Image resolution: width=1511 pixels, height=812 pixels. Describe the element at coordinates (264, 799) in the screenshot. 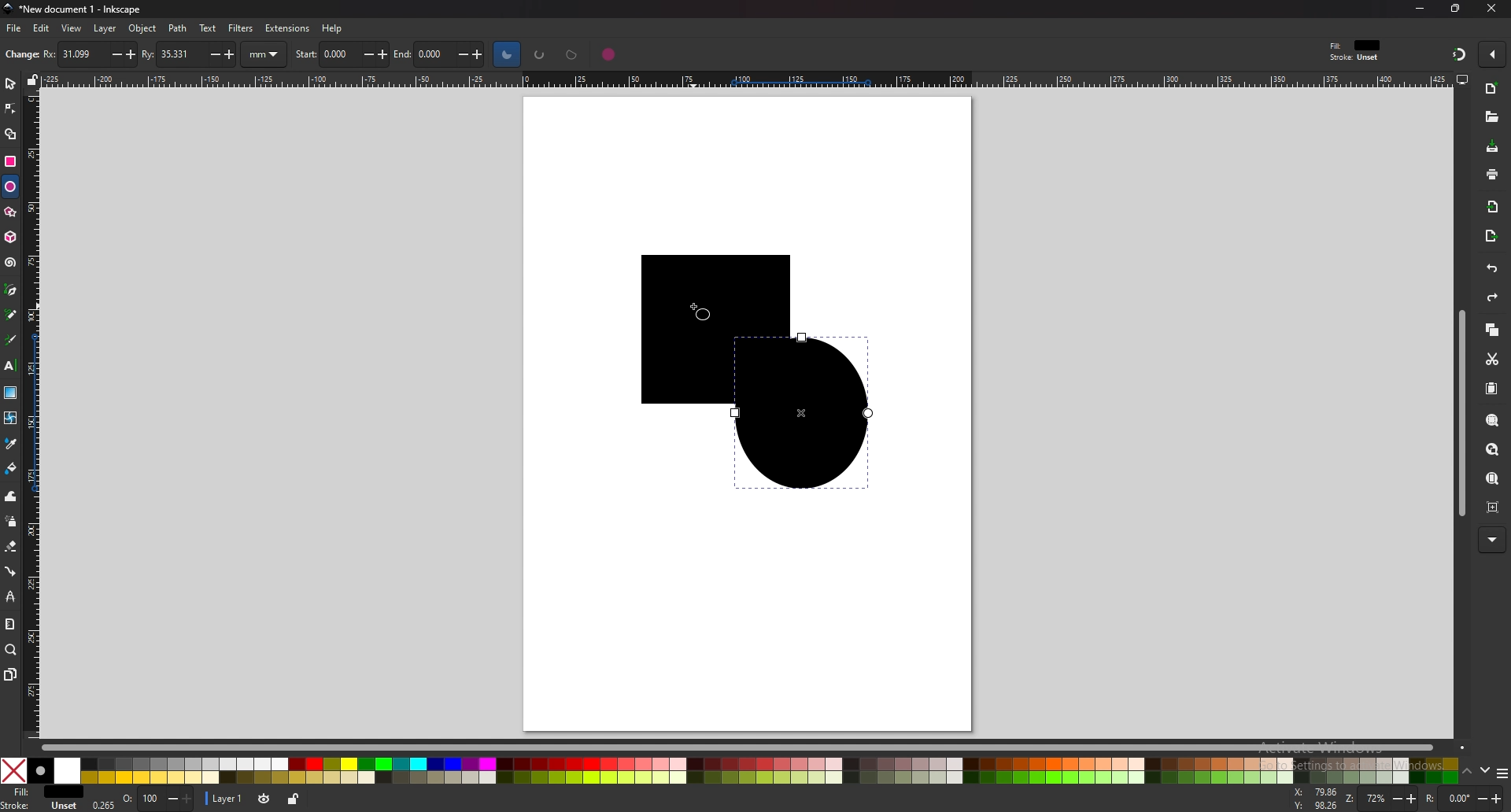

I see `toggle visibility` at that location.